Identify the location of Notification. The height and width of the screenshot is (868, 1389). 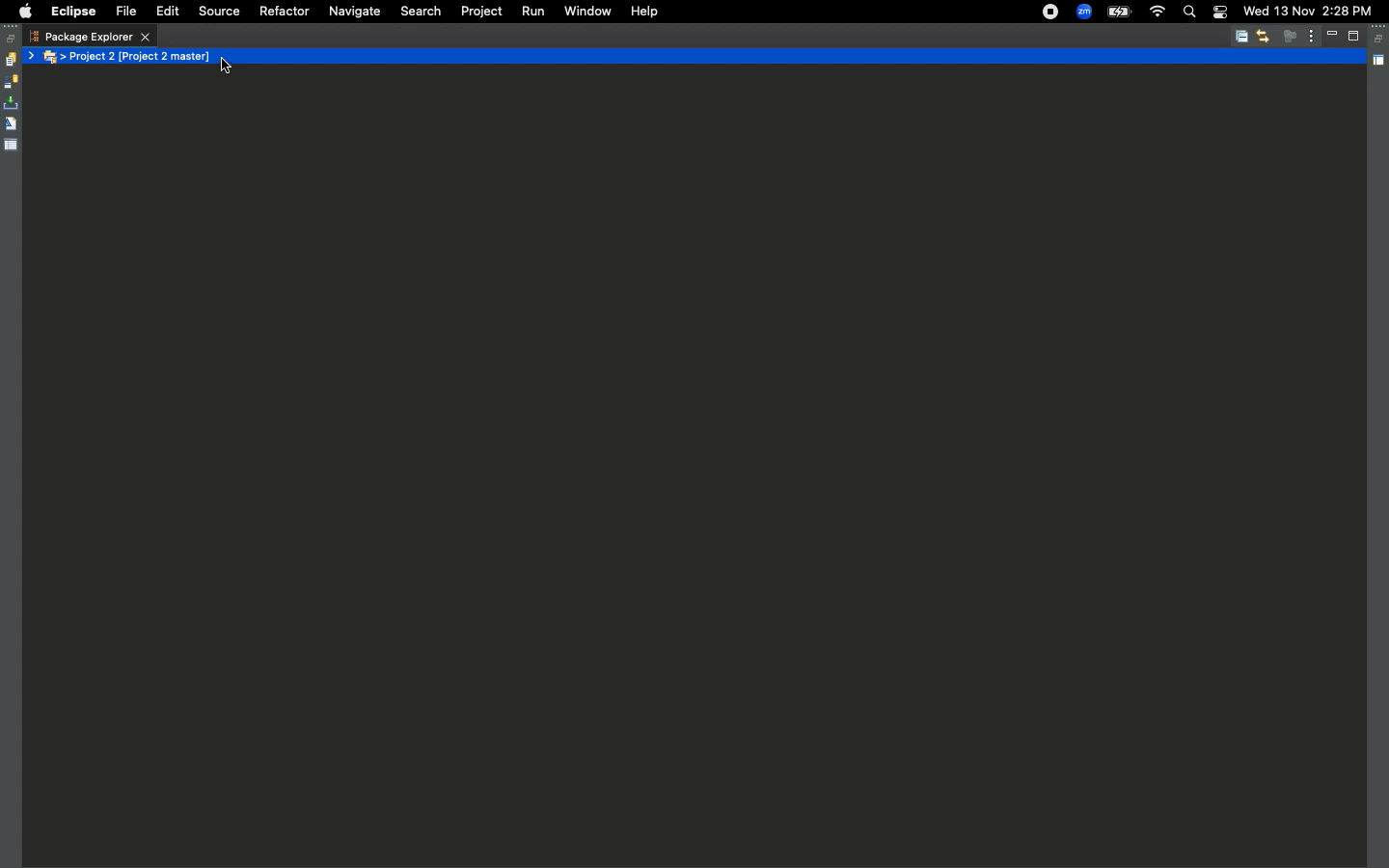
(1219, 14).